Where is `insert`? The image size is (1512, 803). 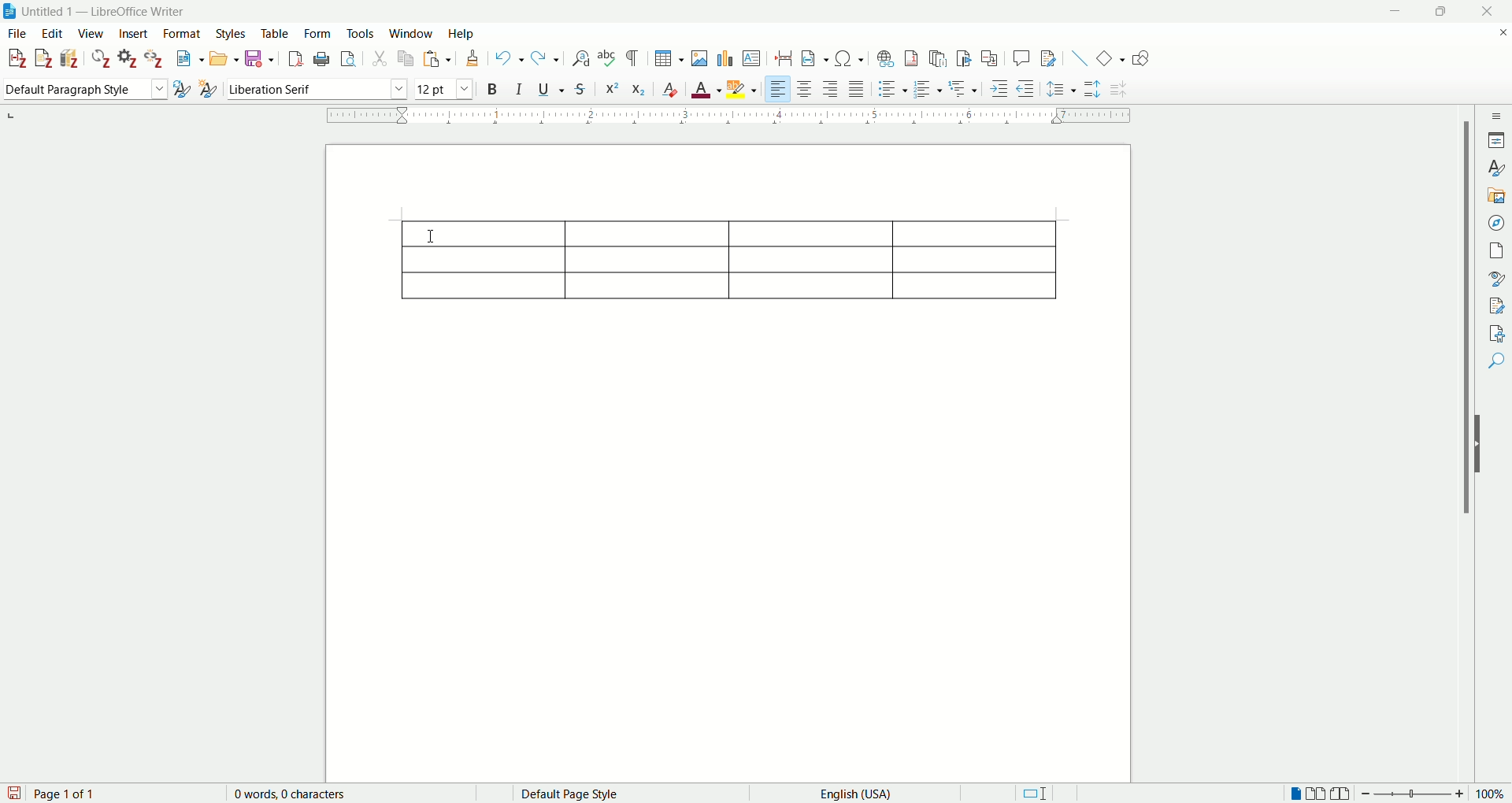
insert is located at coordinates (134, 31).